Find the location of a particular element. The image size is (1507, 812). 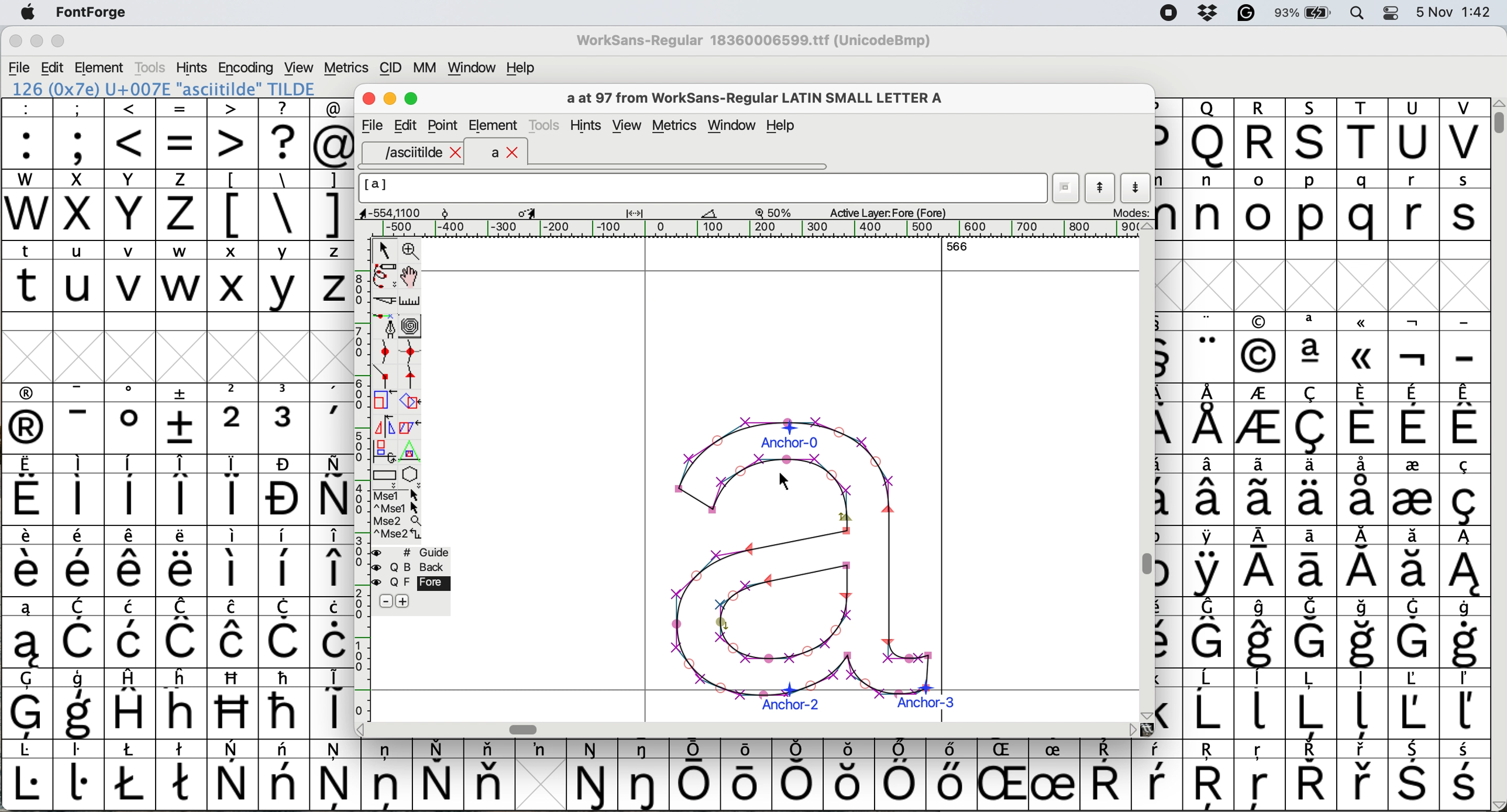

cursor is located at coordinates (788, 484).